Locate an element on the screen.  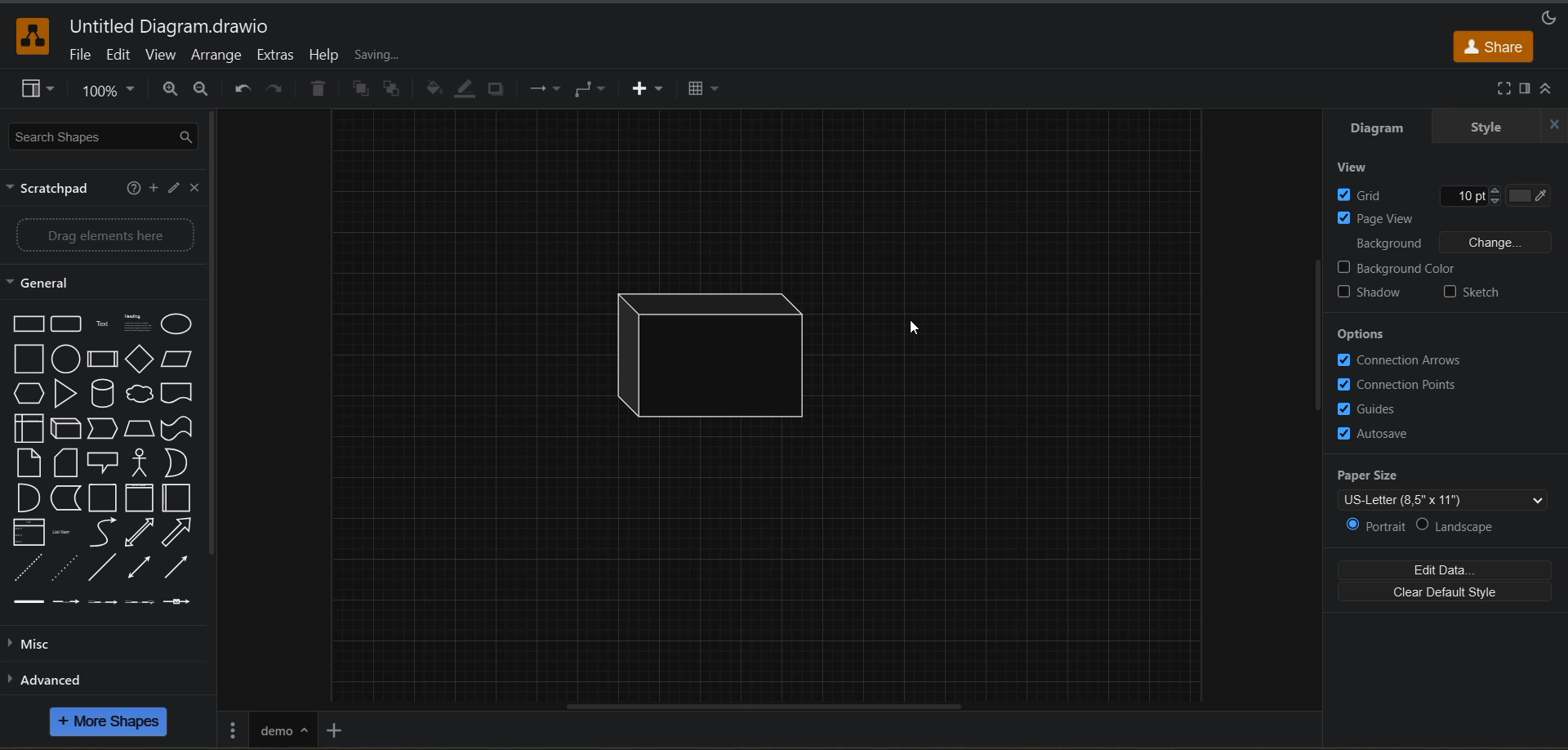
close is located at coordinates (1557, 124).